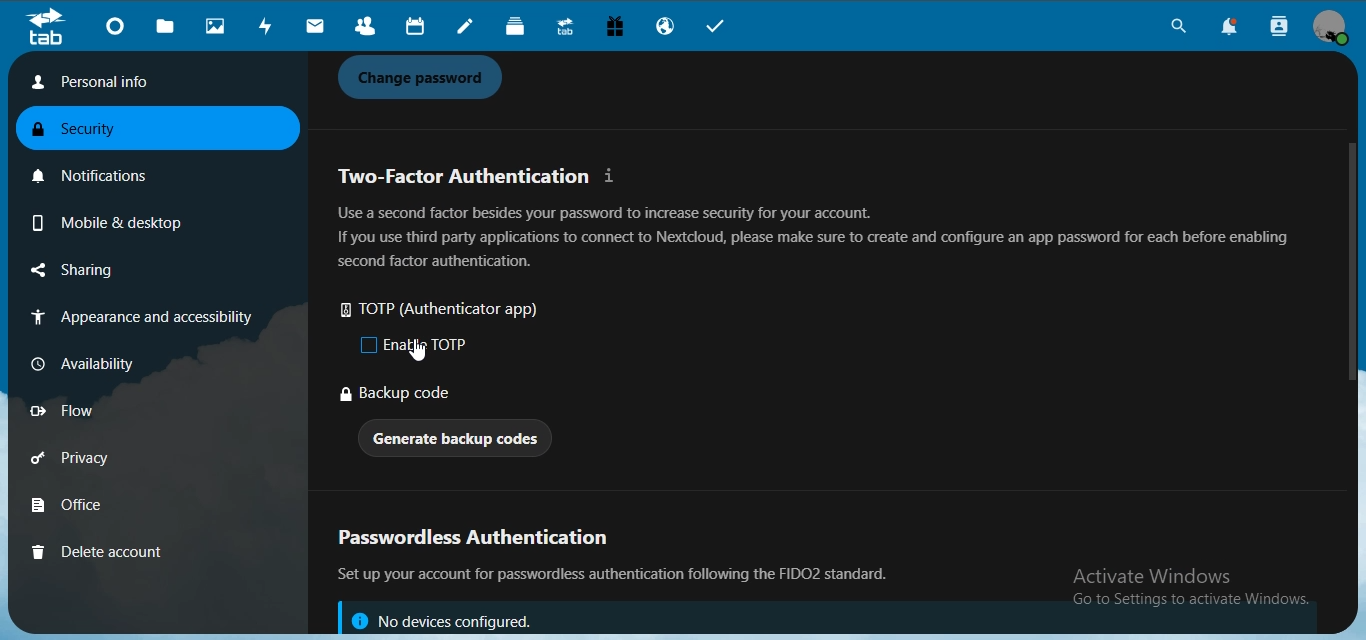 The width and height of the screenshot is (1366, 640). Describe the element at coordinates (1280, 27) in the screenshot. I see `search contacts` at that location.